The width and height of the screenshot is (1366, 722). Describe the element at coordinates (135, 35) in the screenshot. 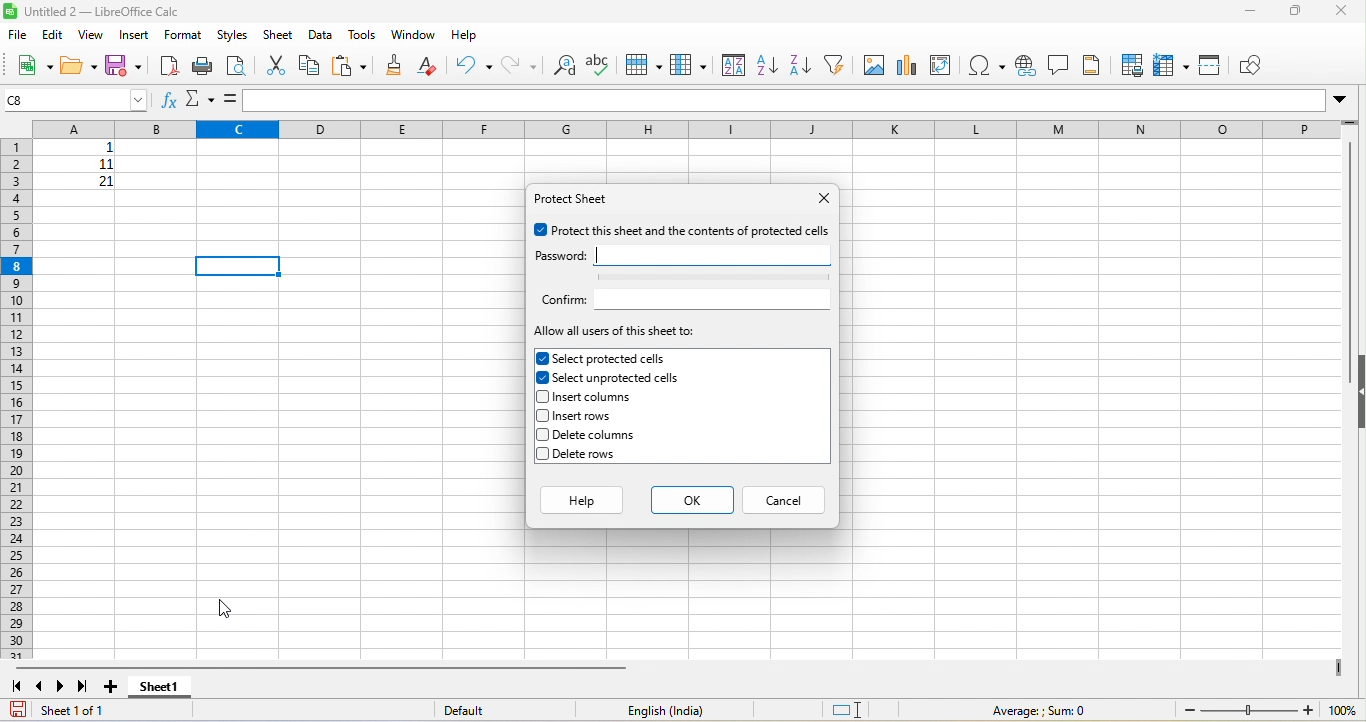

I see `insert` at that location.